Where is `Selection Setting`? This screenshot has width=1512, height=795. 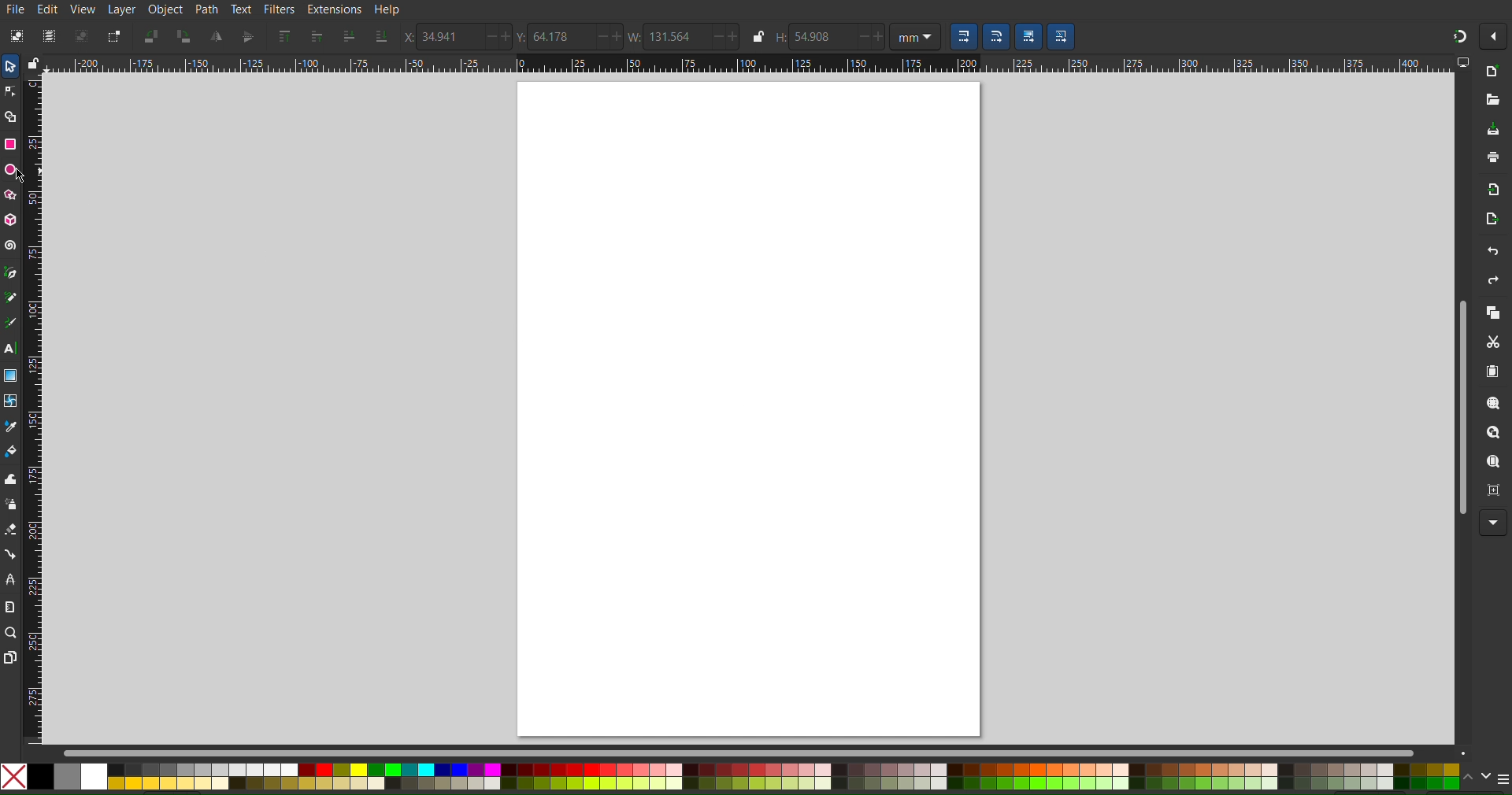
Selection Setting is located at coordinates (1028, 35).